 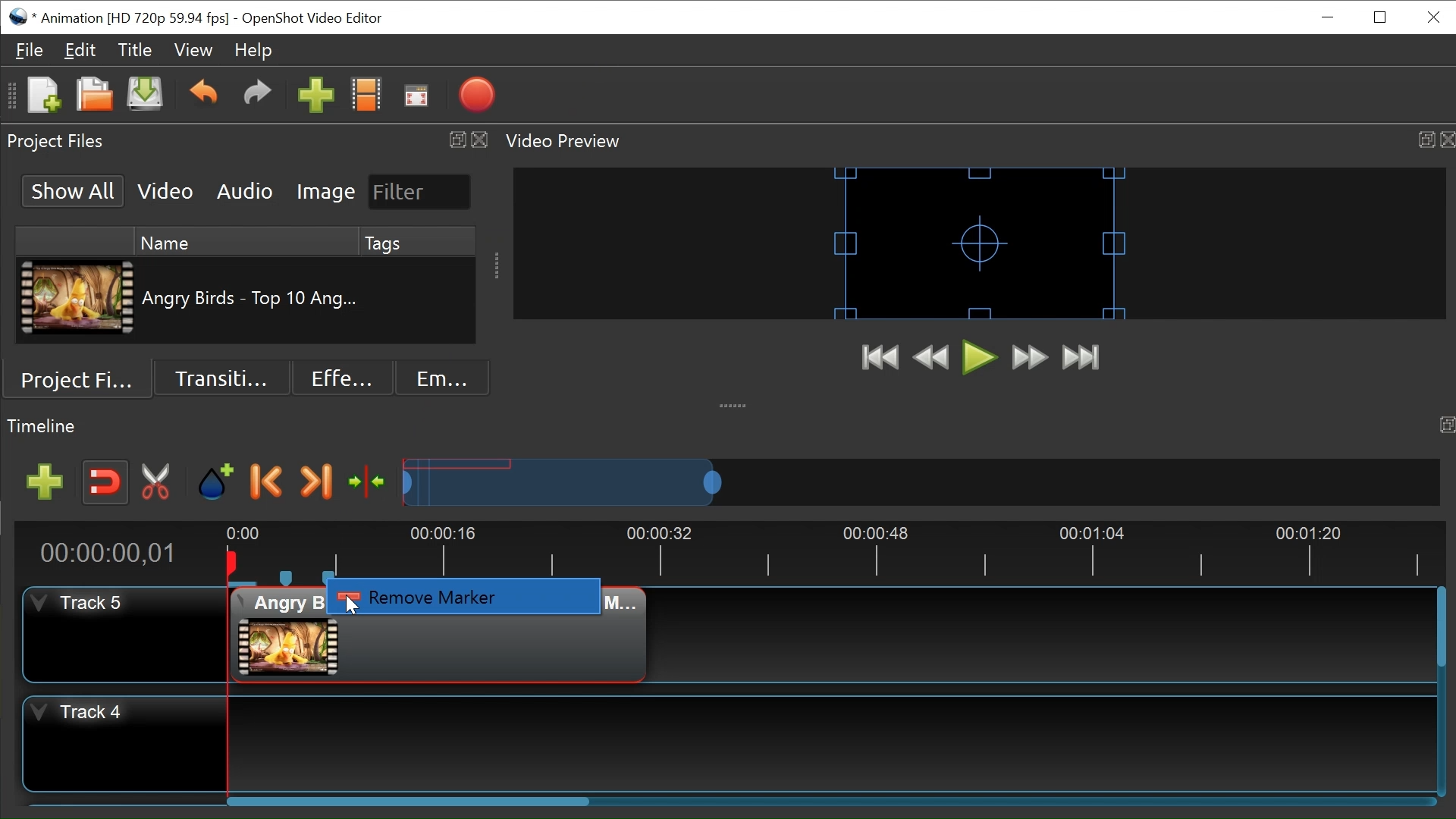 I want to click on Audio, so click(x=244, y=192).